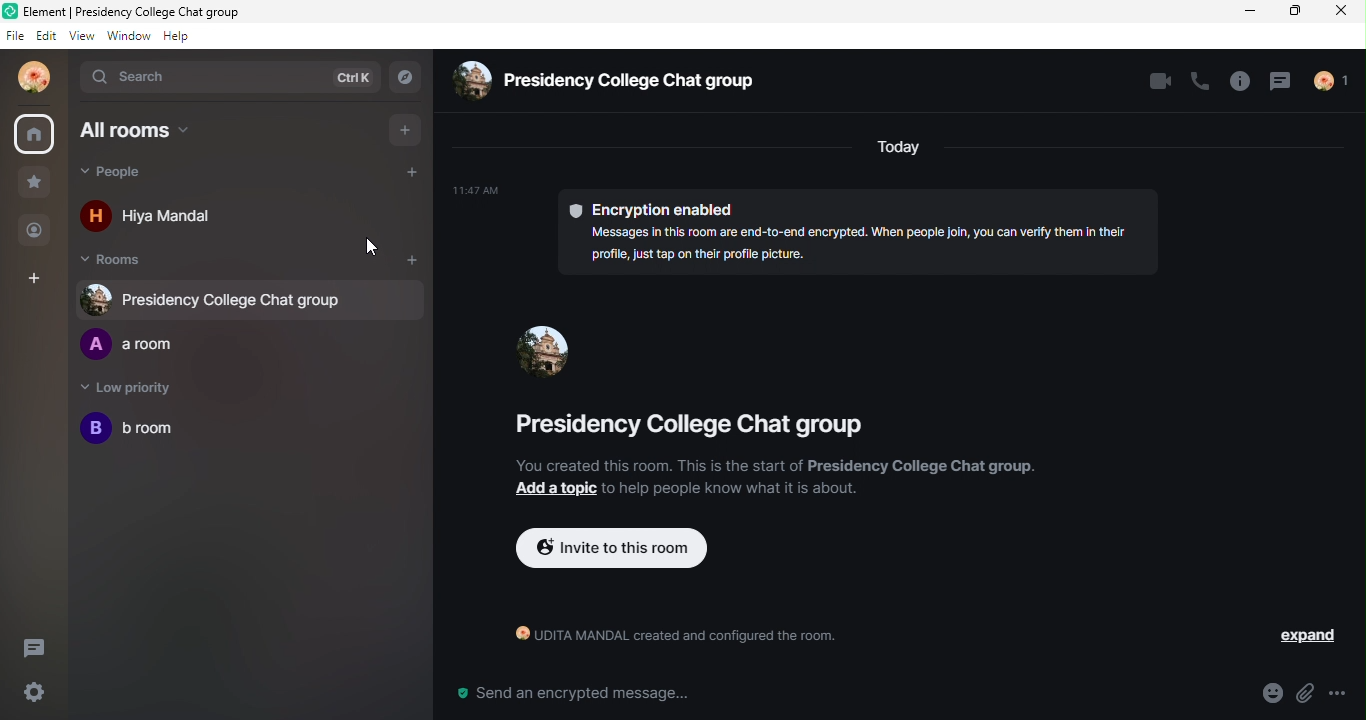  What do you see at coordinates (228, 298) in the screenshot?
I see `Uploaded an avatar image for a specific room` at bounding box center [228, 298].